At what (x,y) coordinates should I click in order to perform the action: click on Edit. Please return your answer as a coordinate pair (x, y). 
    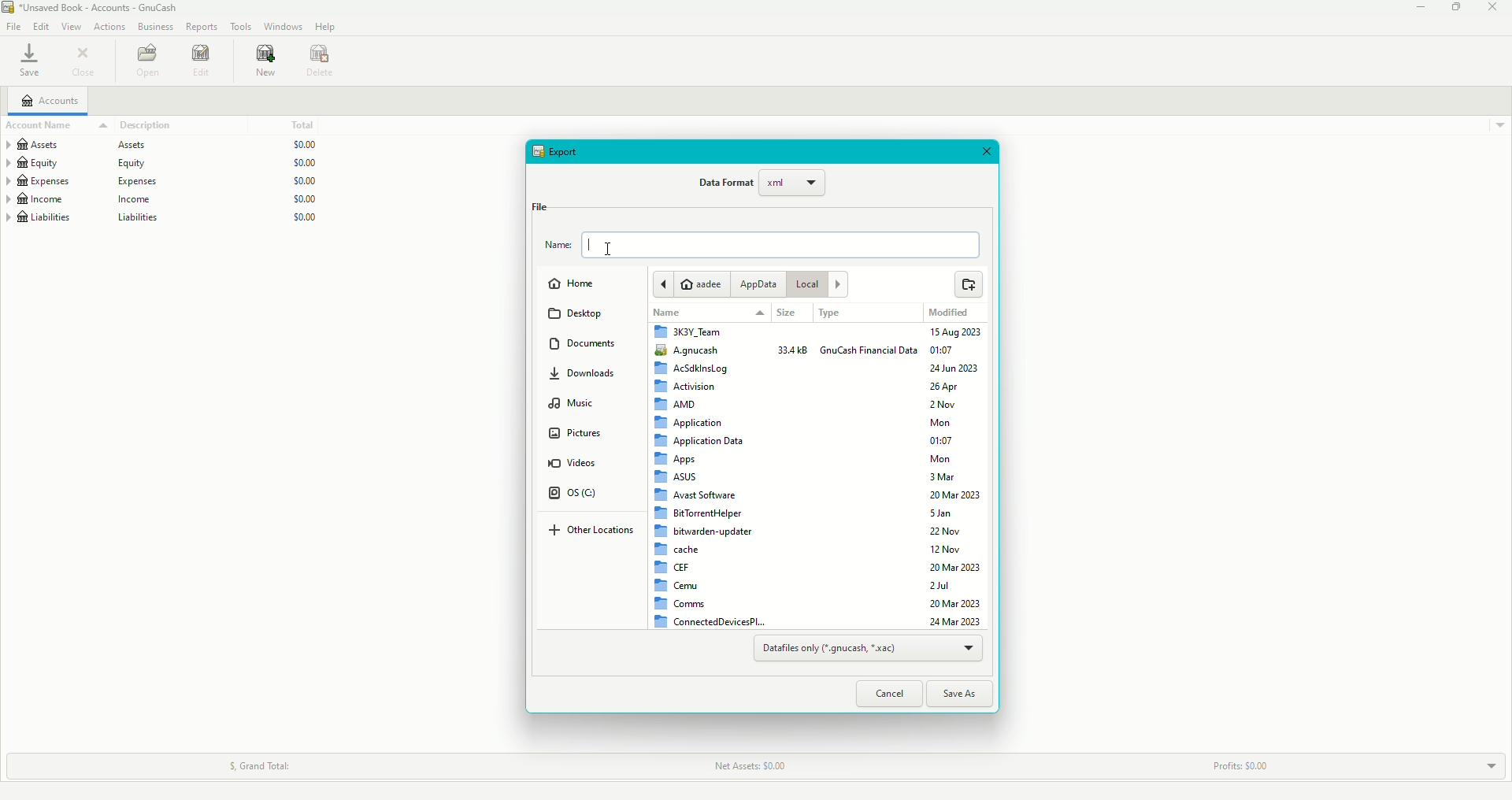
    Looking at the image, I should click on (202, 63).